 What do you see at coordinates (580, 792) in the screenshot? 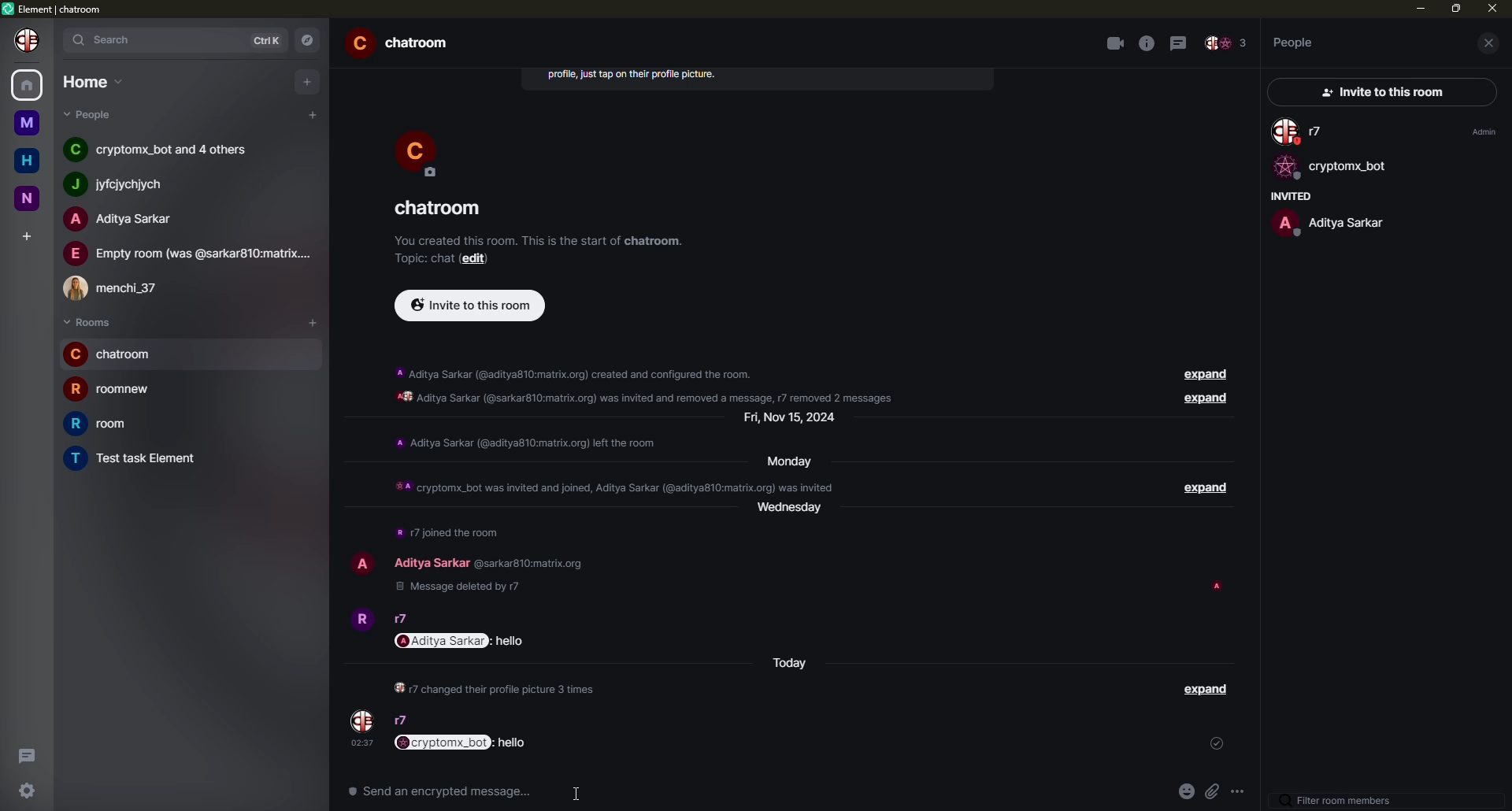
I see `cursor` at bounding box center [580, 792].